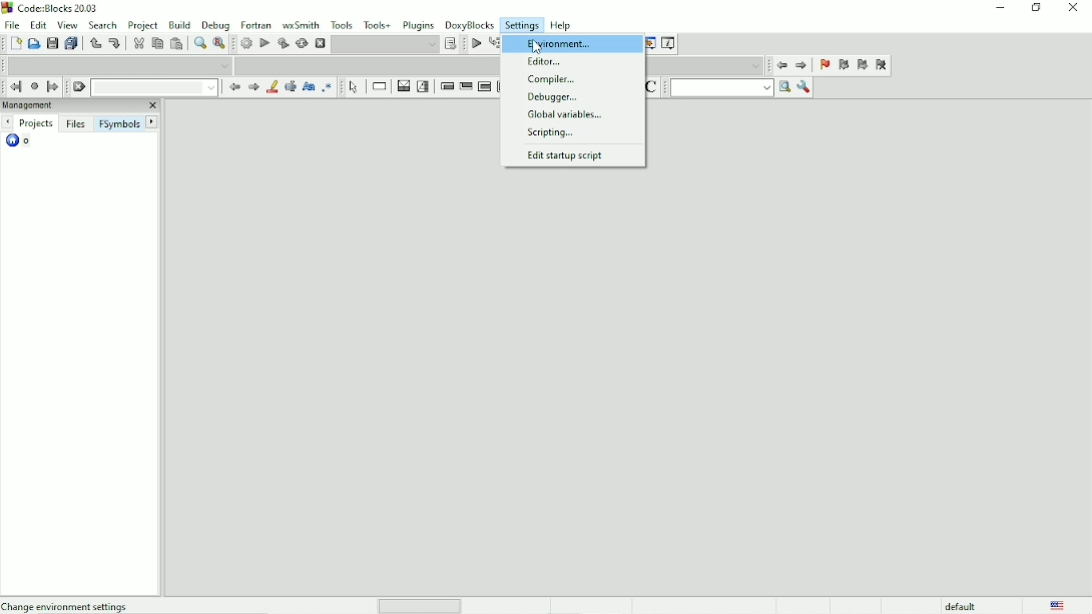 The height and width of the screenshot is (614, 1092). I want to click on View, so click(68, 25).